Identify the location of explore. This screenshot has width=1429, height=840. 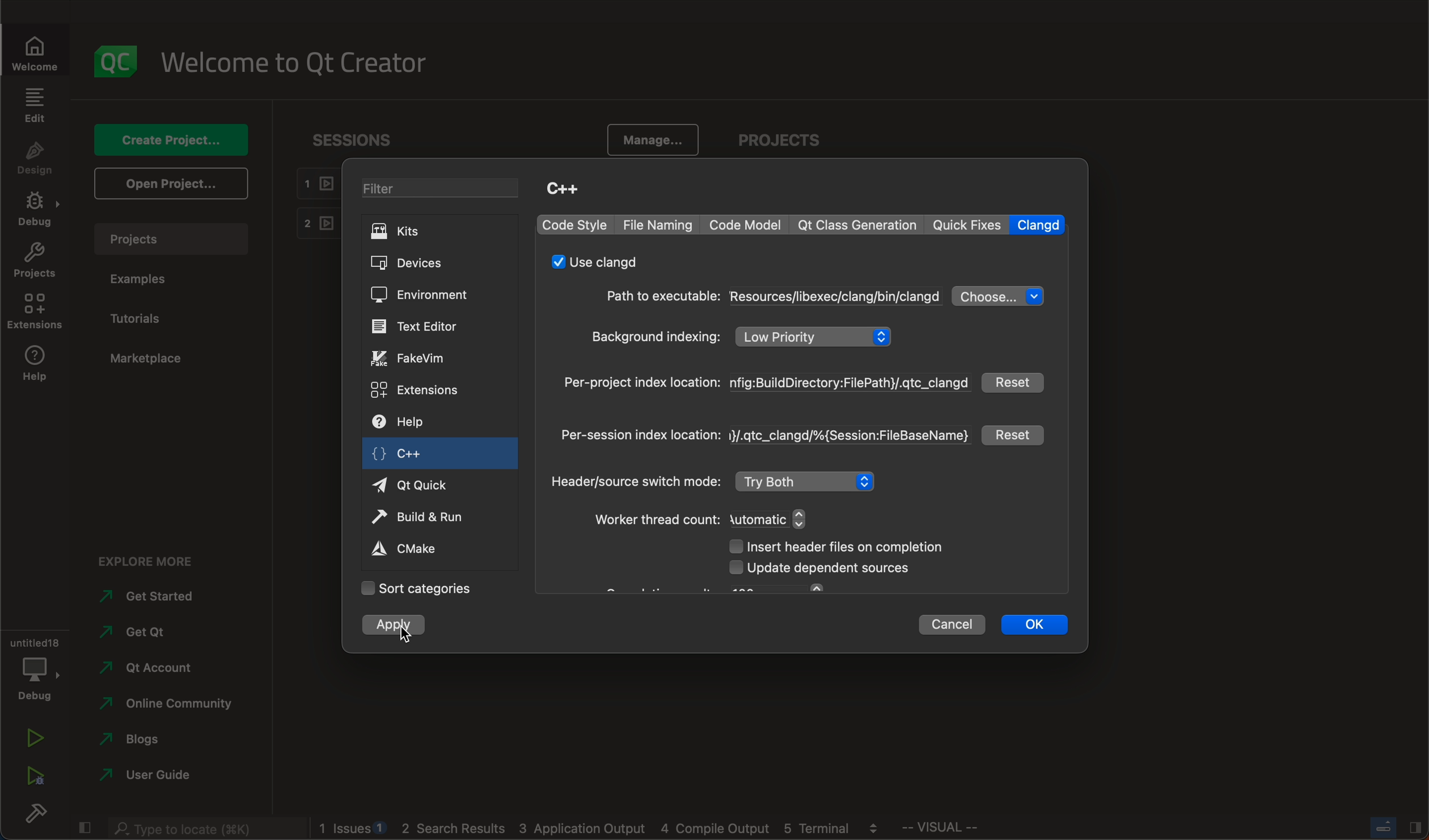
(155, 560).